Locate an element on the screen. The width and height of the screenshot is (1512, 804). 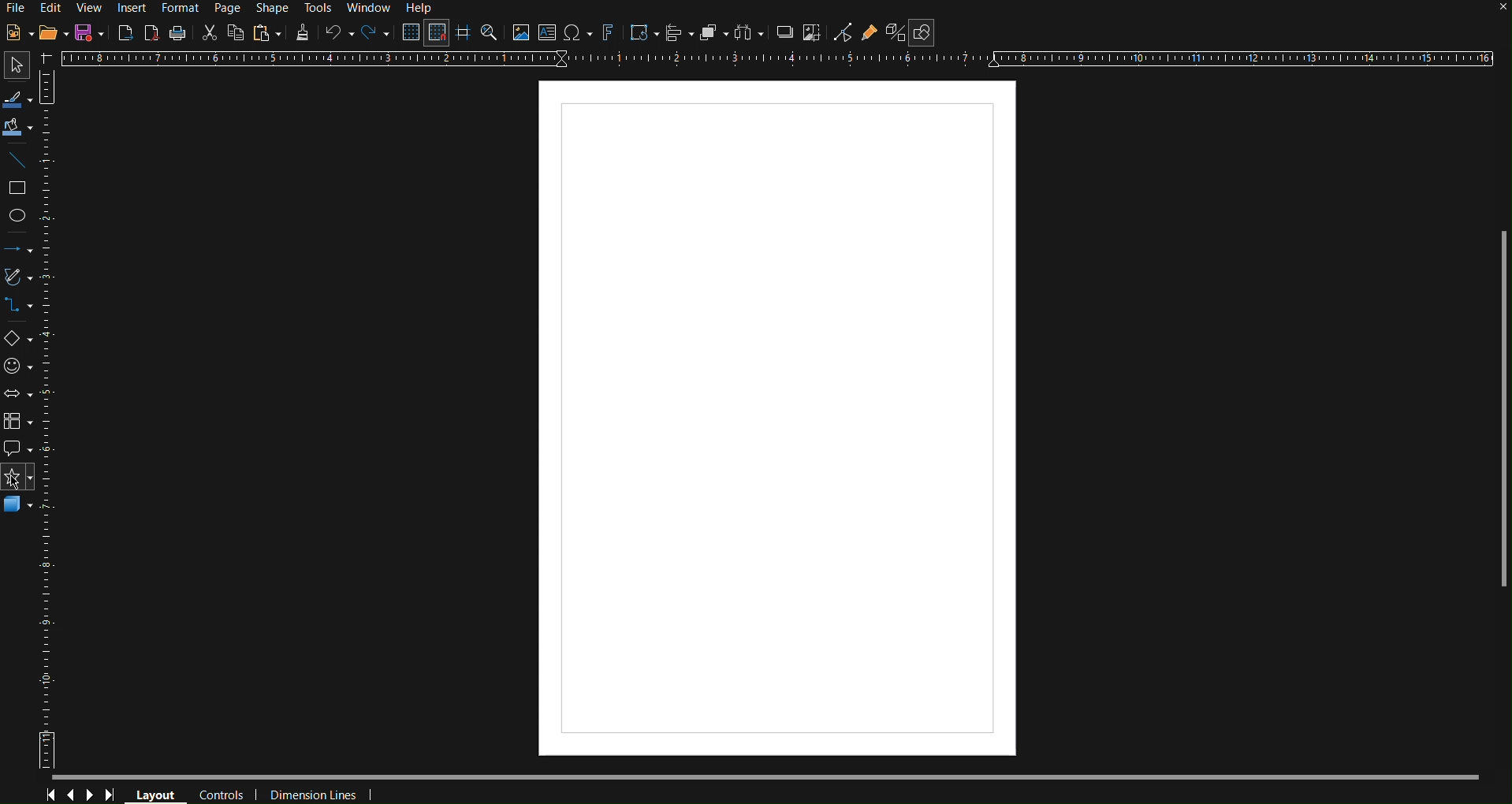
Format is located at coordinates (181, 7).